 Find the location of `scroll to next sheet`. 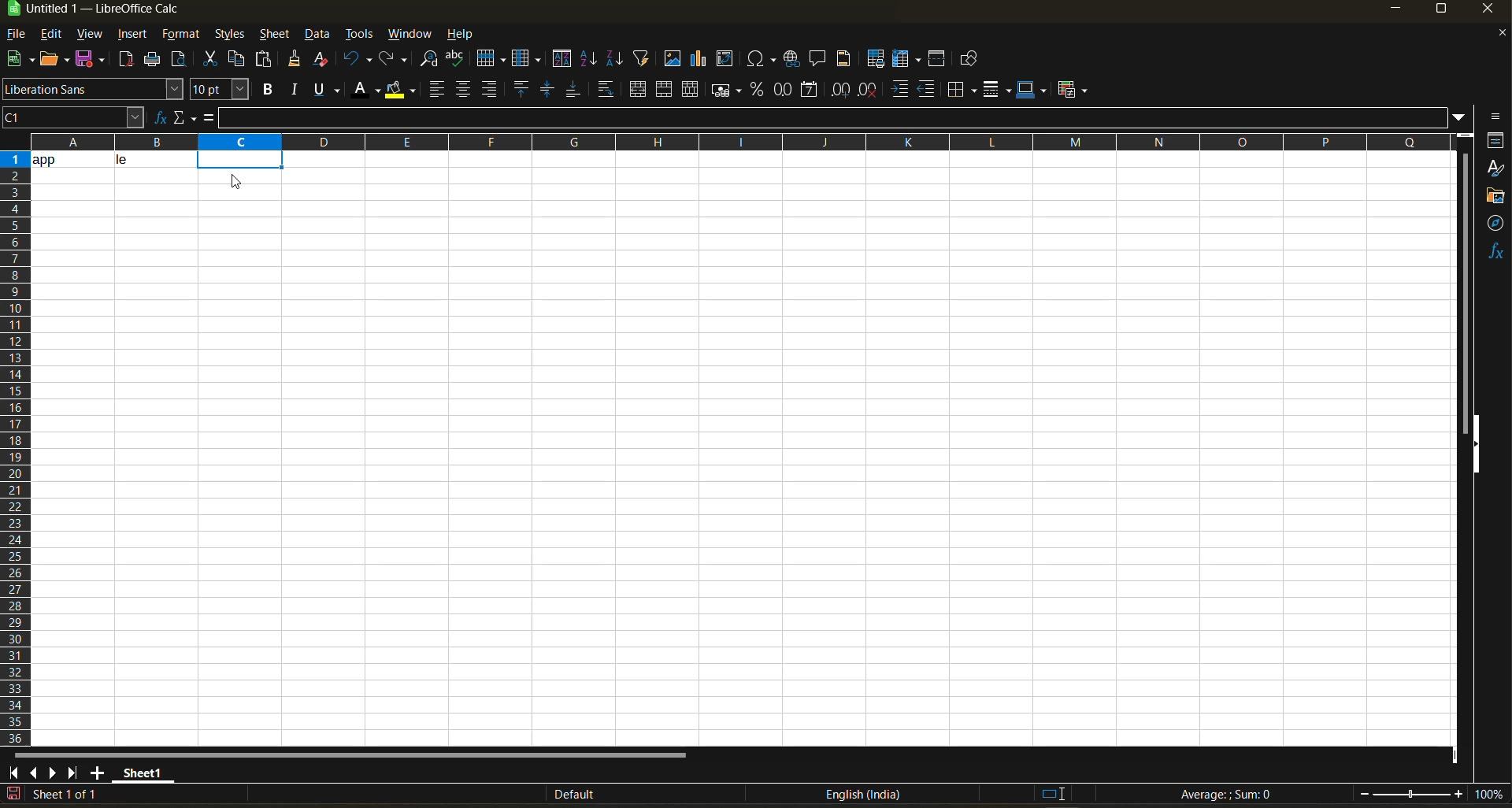

scroll to next sheet is located at coordinates (55, 773).